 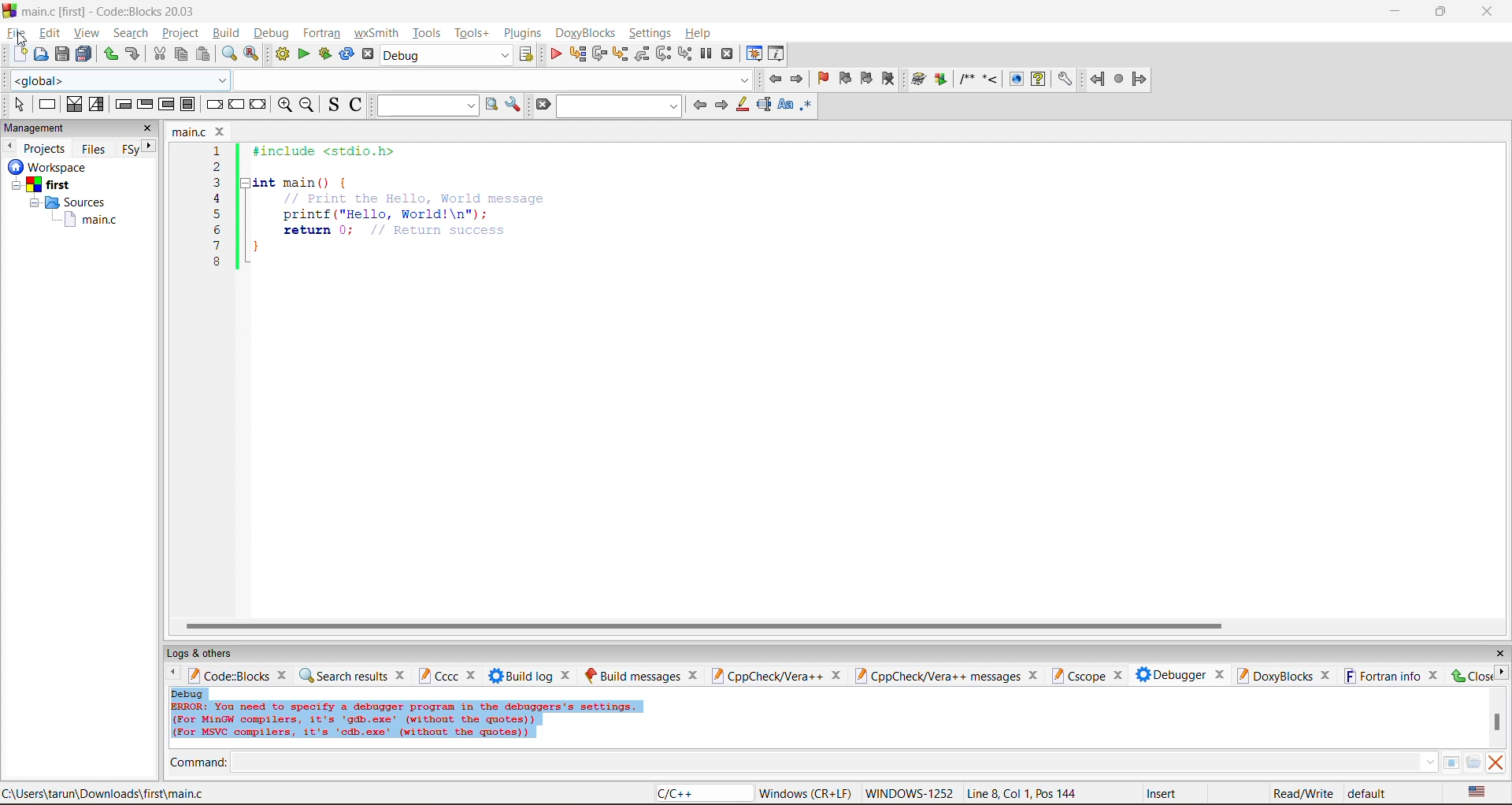 I want to click on Fsy, so click(x=129, y=150).